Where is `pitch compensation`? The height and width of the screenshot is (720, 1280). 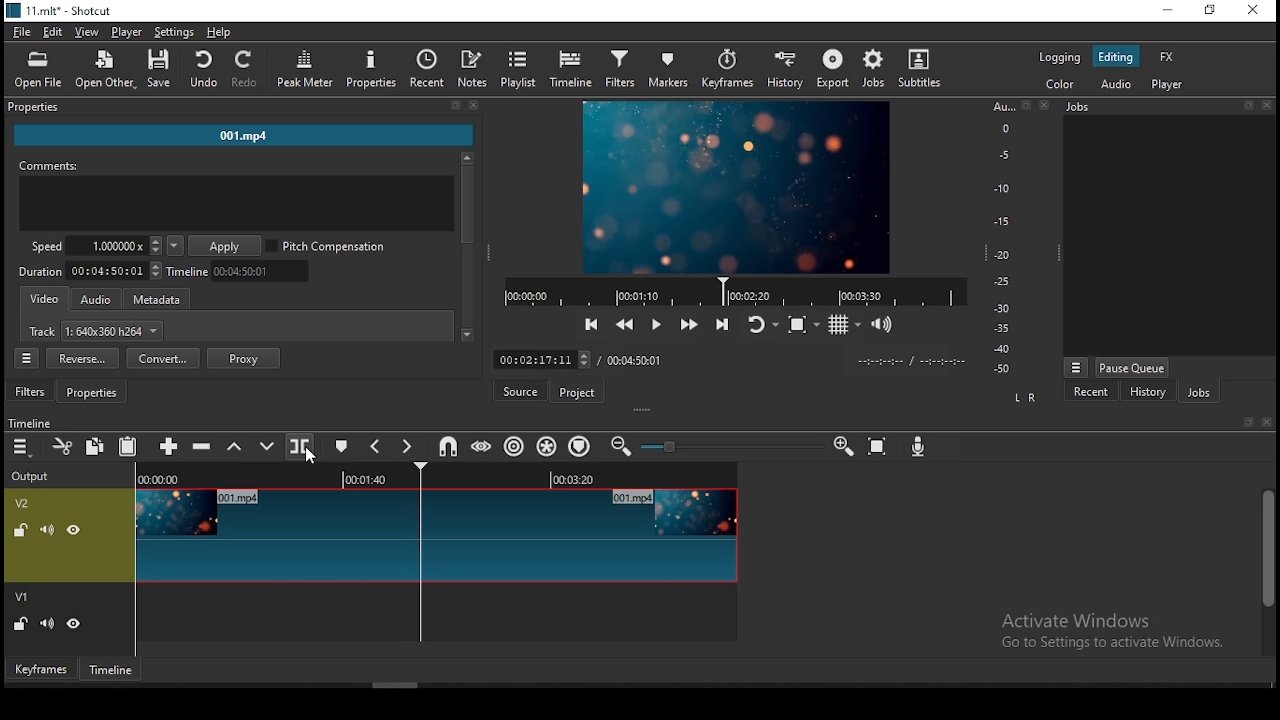 pitch compensation is located at coordinates (327, 247).